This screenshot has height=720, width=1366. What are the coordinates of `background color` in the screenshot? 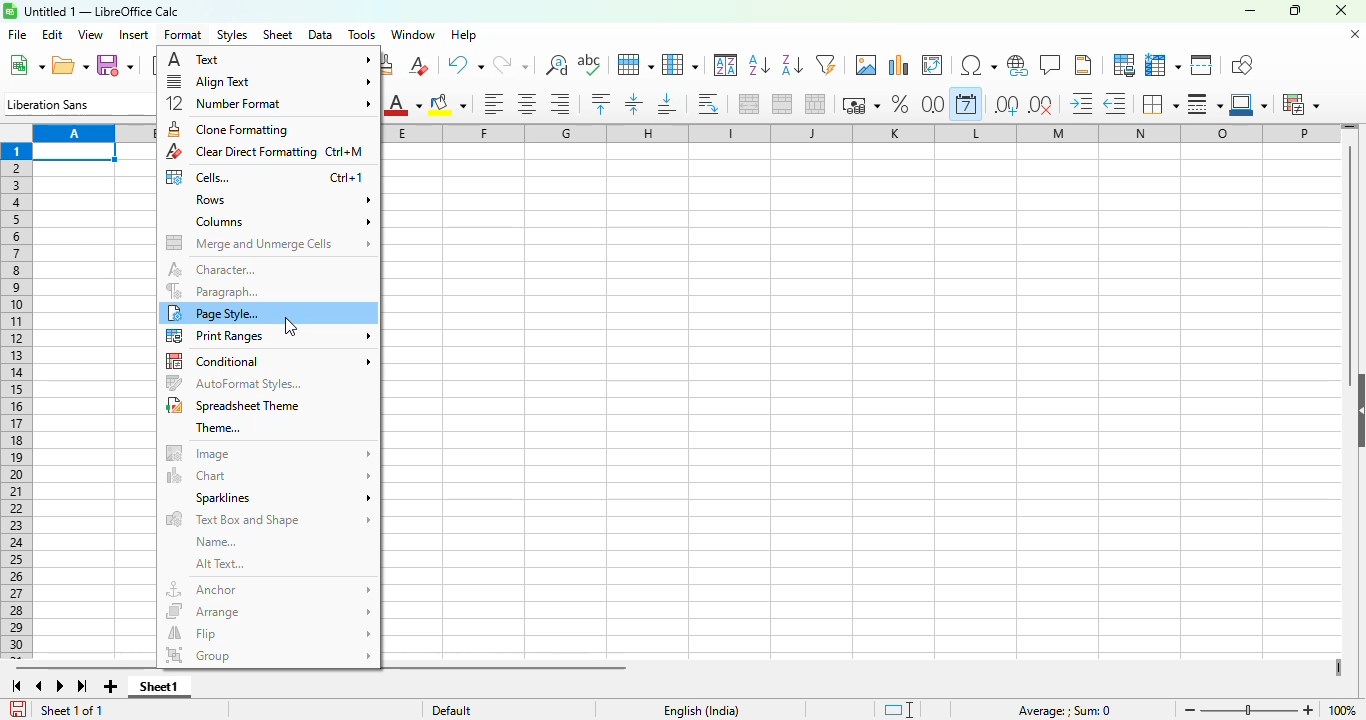 It's located at (448, 105).